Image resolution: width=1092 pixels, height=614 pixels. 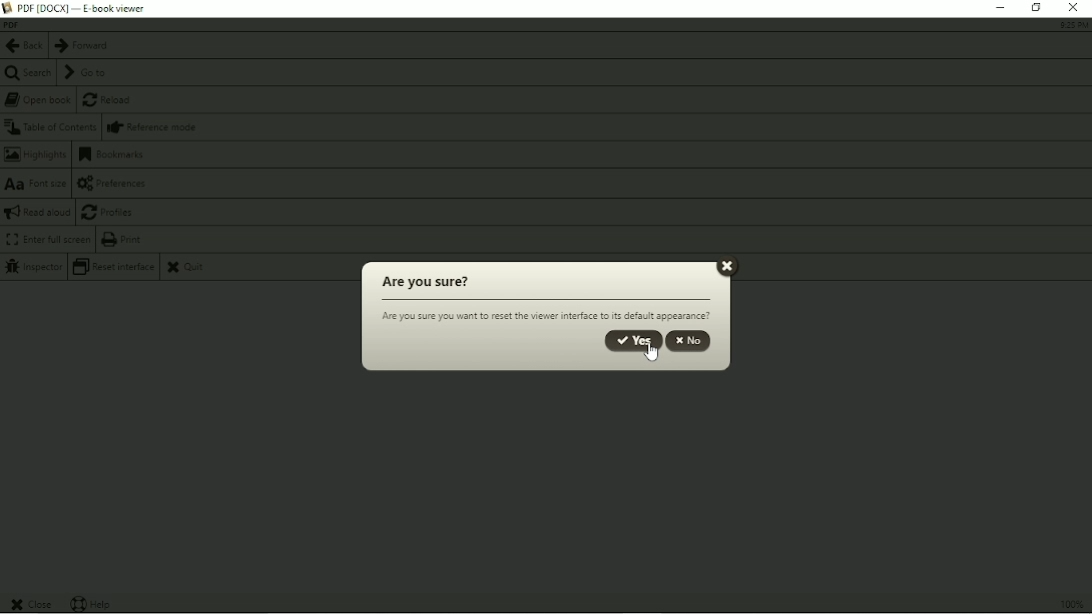 I want to click on Are you sure you want to reset the viewer interface to its default appearance?, so click(x=546, y=316).